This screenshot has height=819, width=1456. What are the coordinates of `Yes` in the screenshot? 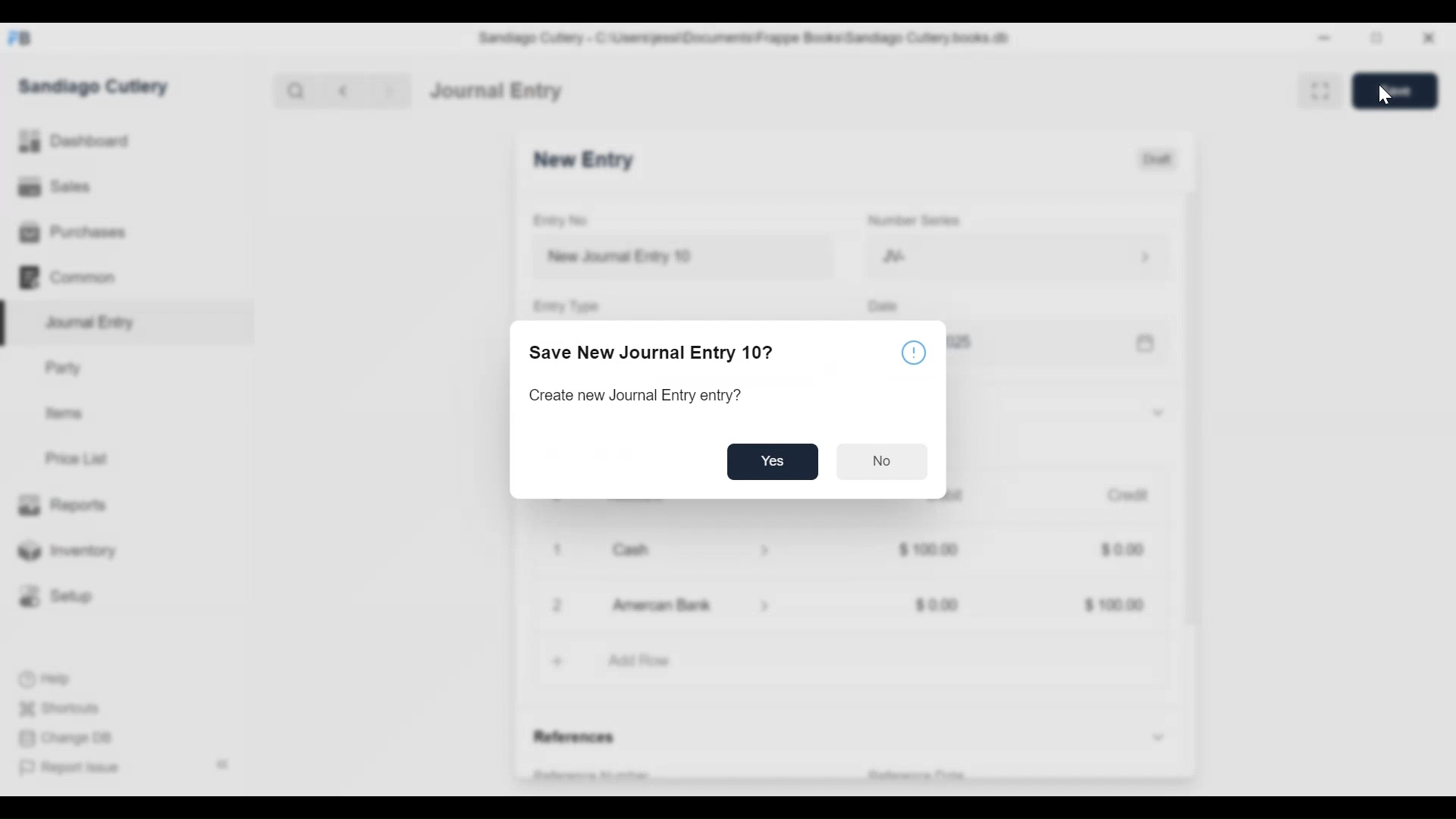 It's located at (773, 462).